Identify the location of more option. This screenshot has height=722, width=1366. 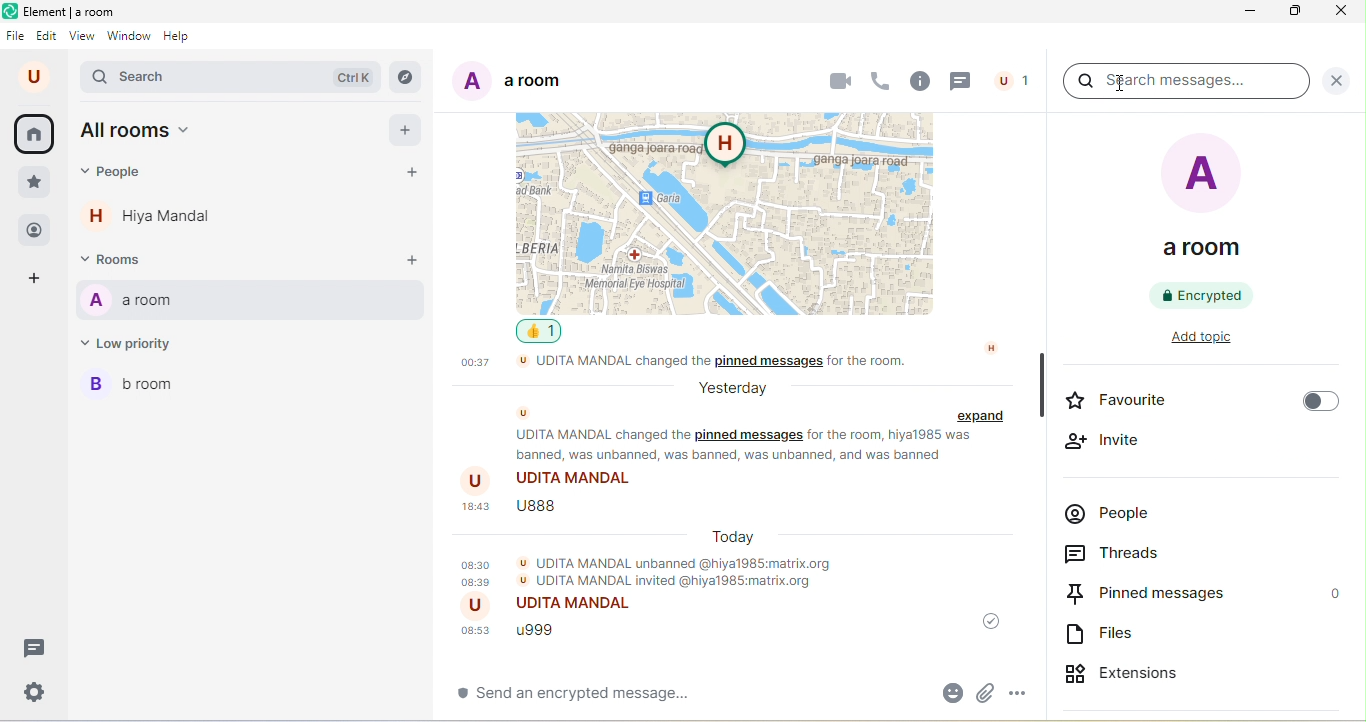
(1026, 689).